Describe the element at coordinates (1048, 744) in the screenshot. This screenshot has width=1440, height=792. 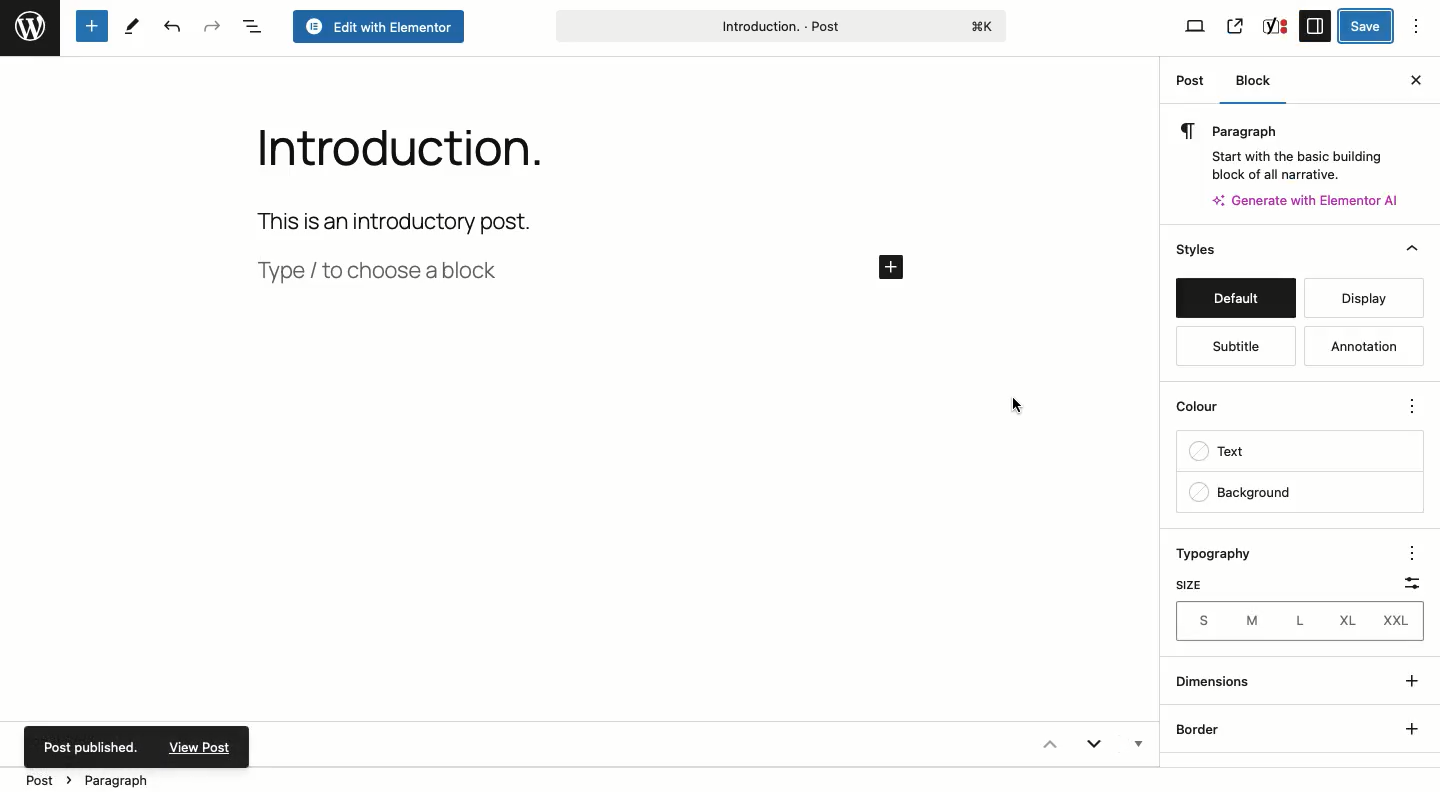
I see `Collapse` at that location.